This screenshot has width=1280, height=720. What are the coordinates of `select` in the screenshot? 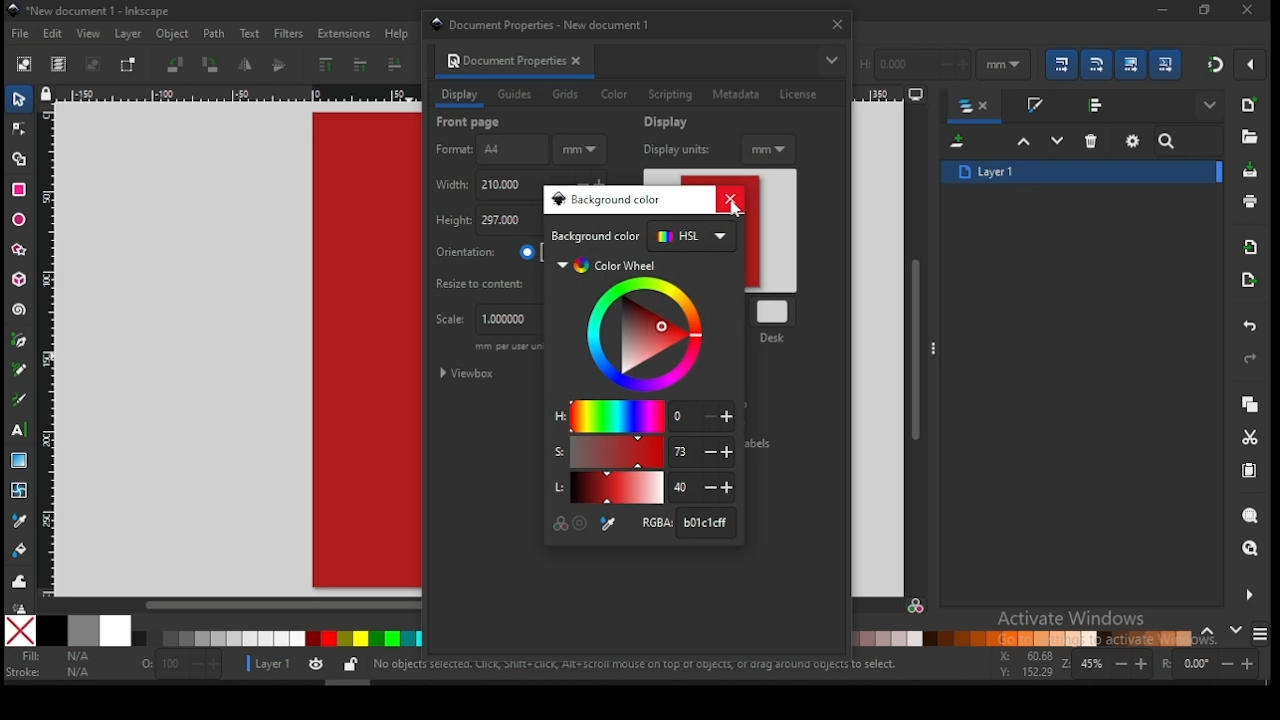 It's located at (21, 98).